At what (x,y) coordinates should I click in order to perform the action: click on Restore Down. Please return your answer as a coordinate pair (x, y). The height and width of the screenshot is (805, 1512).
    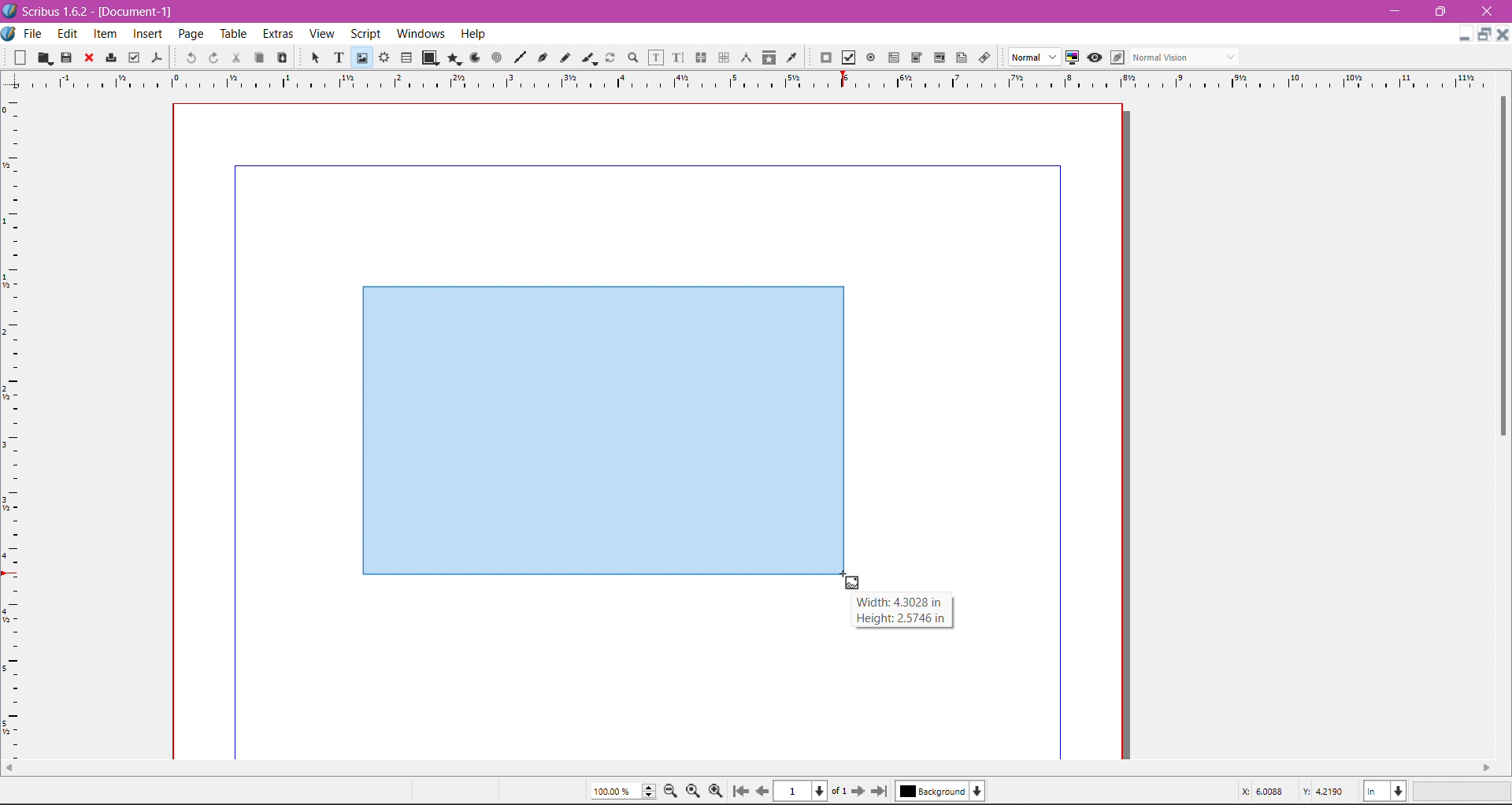
    Looking at the image, I should click on (1439, 11).